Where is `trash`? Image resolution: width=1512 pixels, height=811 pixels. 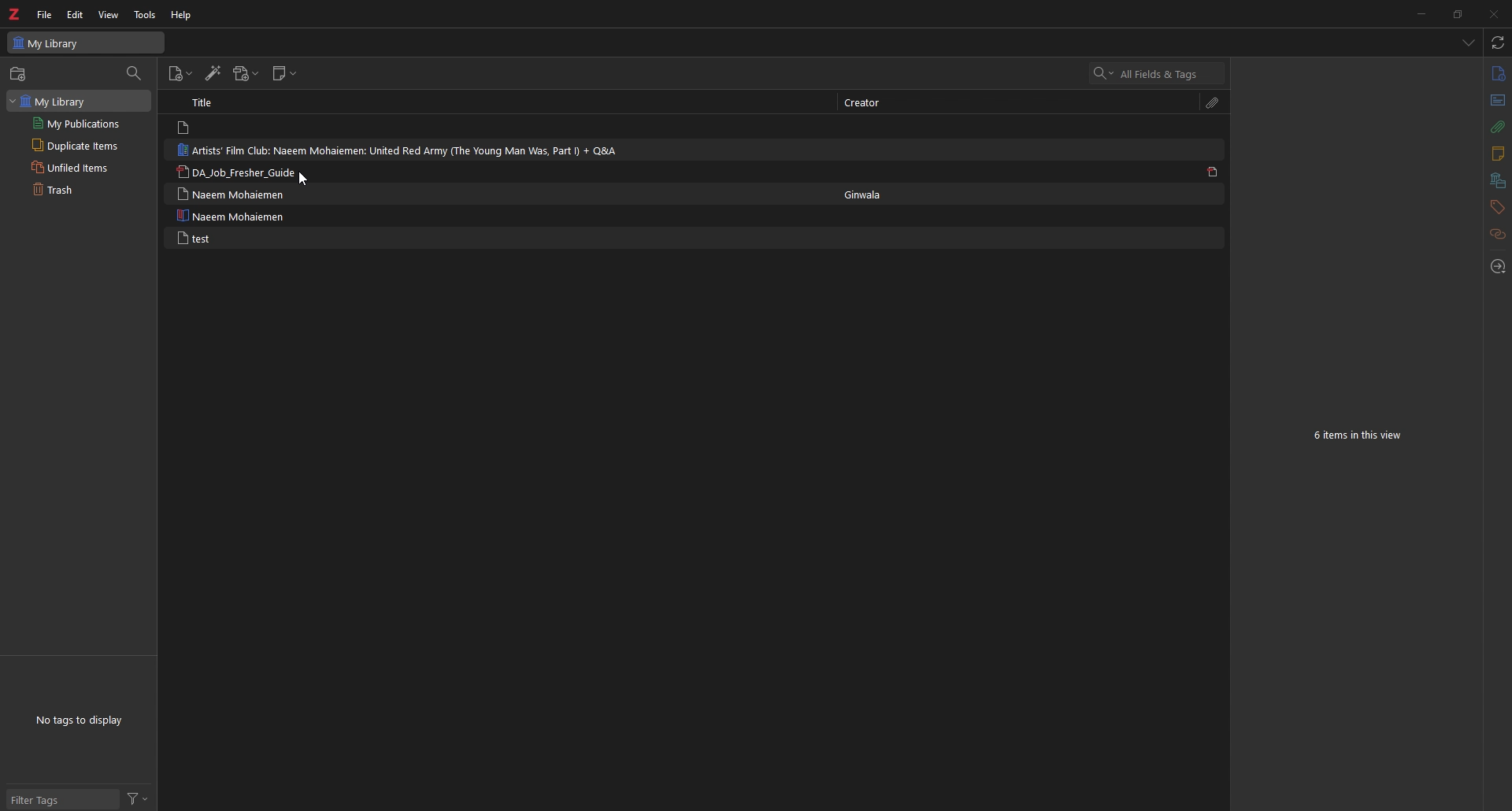 trash is located at coordinates (76, 190).